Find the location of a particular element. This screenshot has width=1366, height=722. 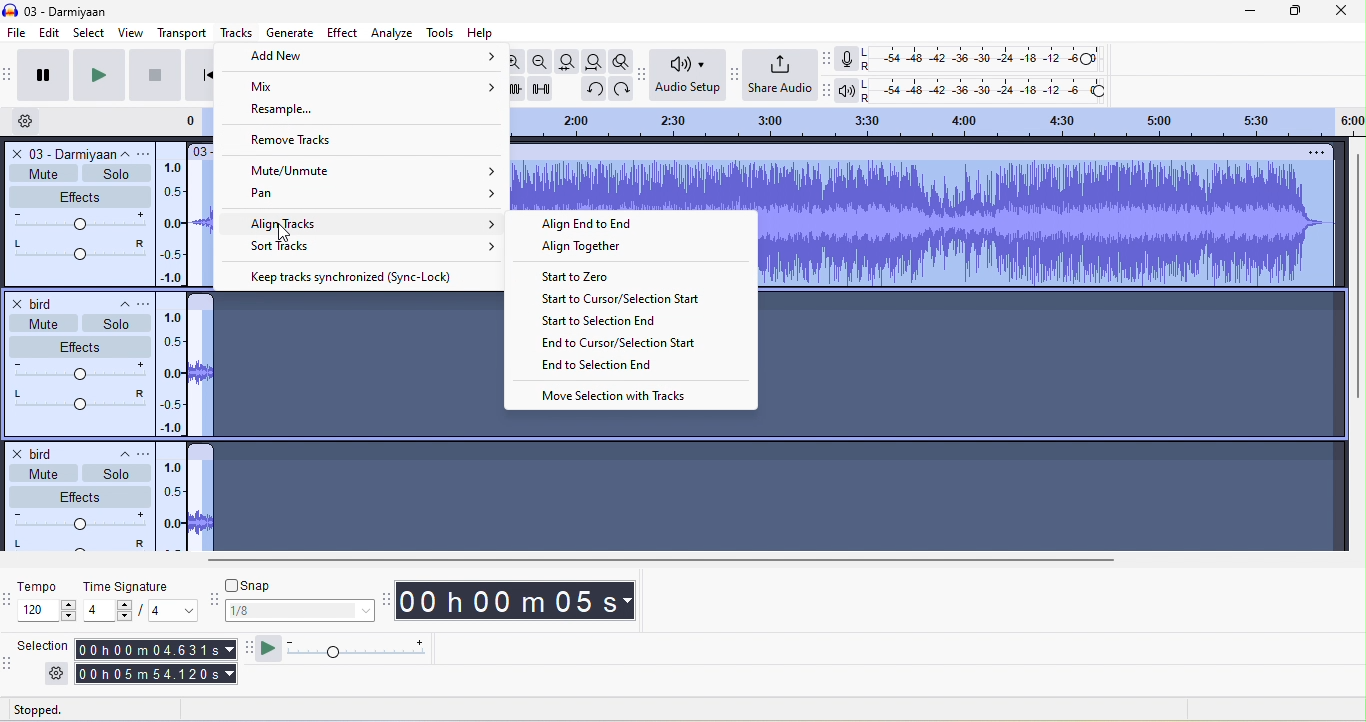

audacity selection toolbar is located at coordinates (9, 668).